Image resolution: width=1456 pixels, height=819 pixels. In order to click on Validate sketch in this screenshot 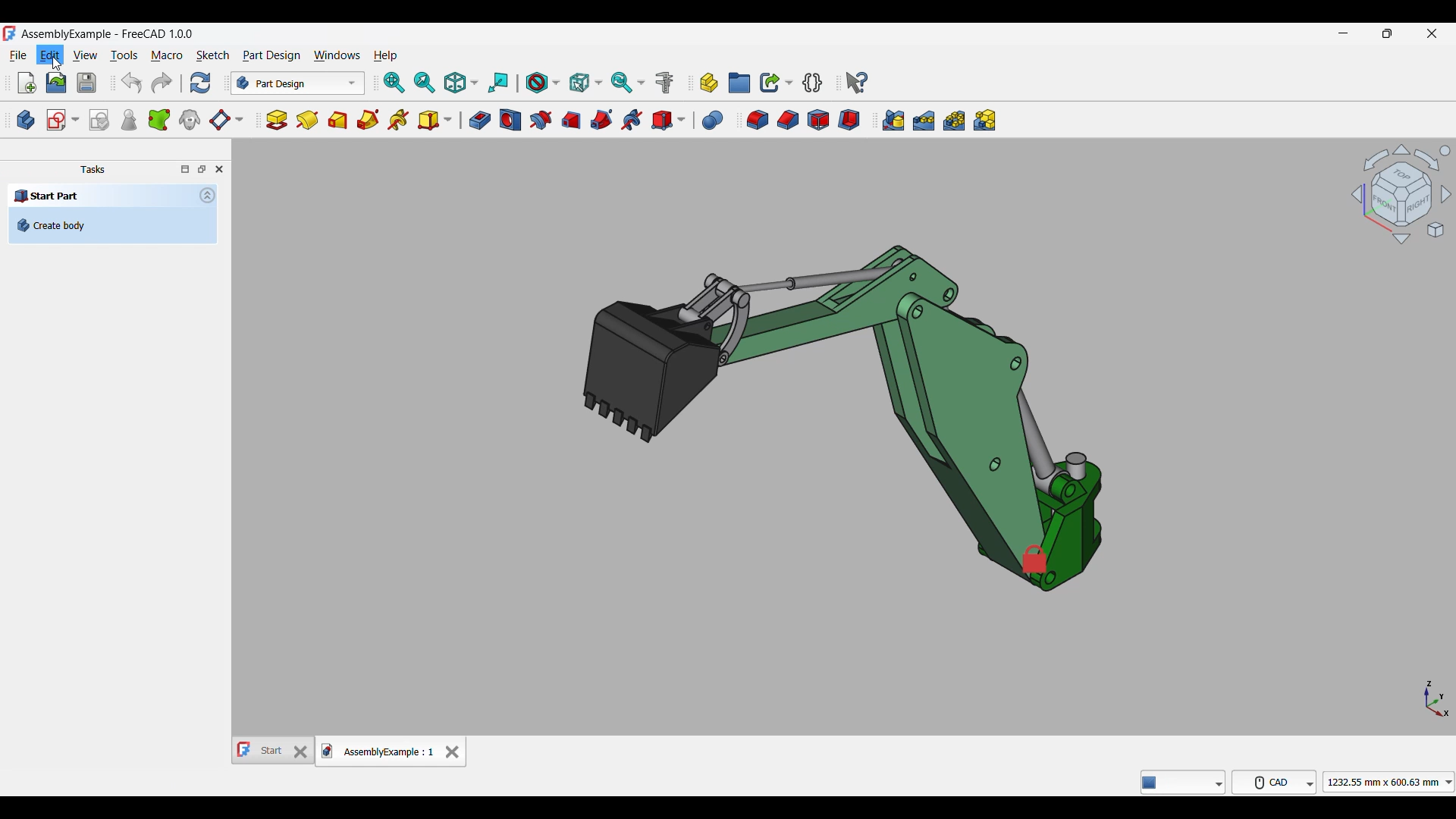, I will do `click(99, 121)`.